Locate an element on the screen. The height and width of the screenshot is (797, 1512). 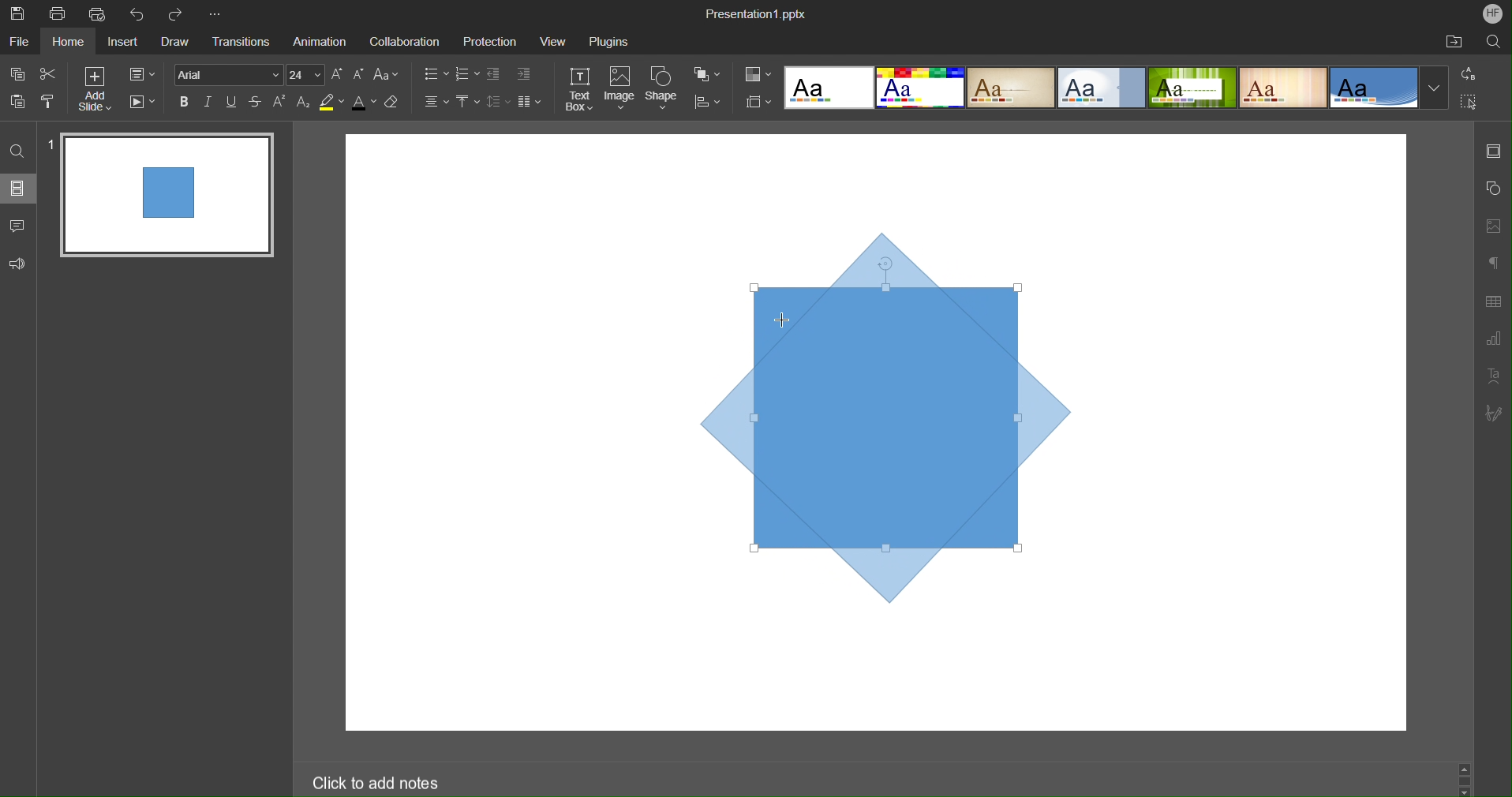
Click to add notes is located at coordinates (377, 783).